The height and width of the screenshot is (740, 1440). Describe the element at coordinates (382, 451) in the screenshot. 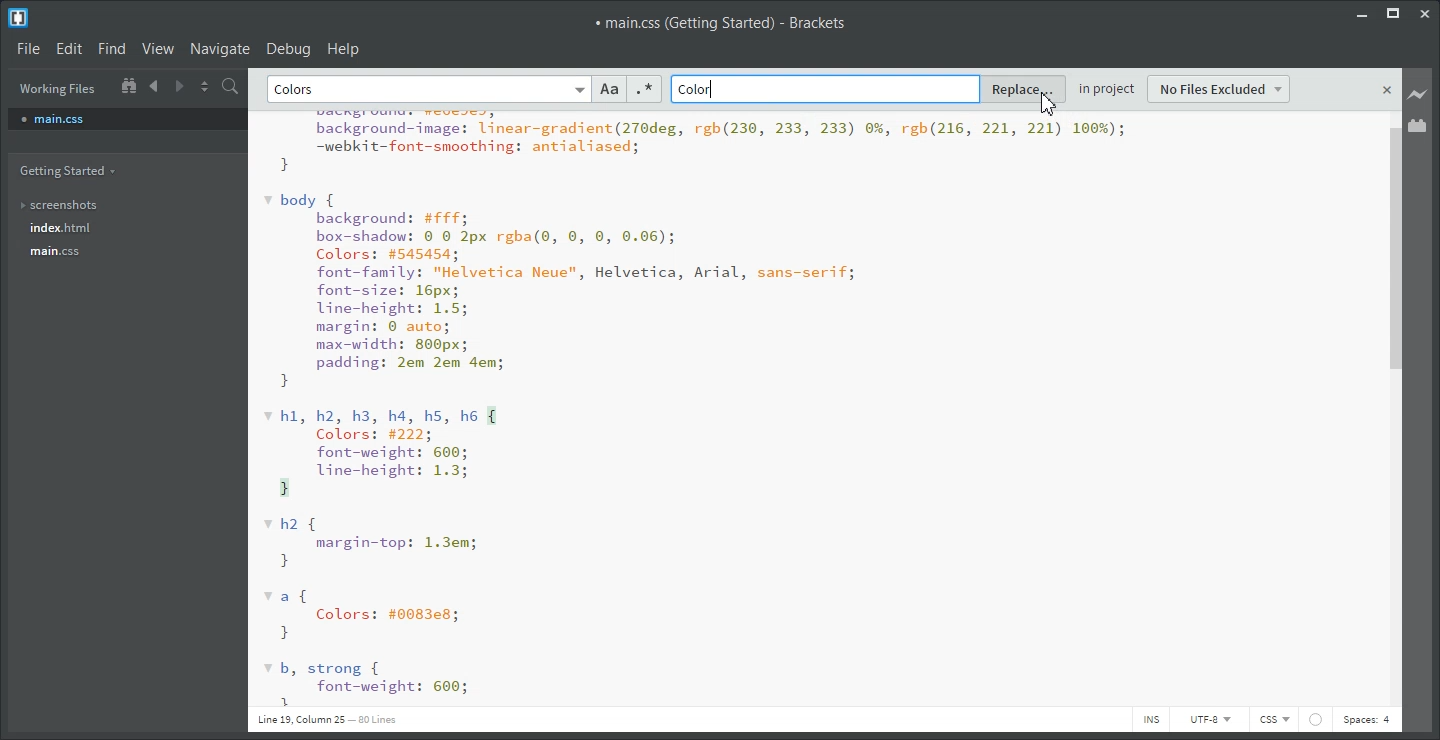

I see `hl, h2, h3, h4, hs, he {
Colors: #222;
font-weight: 600;
Uine-height: 1.3;

3}` at that location.